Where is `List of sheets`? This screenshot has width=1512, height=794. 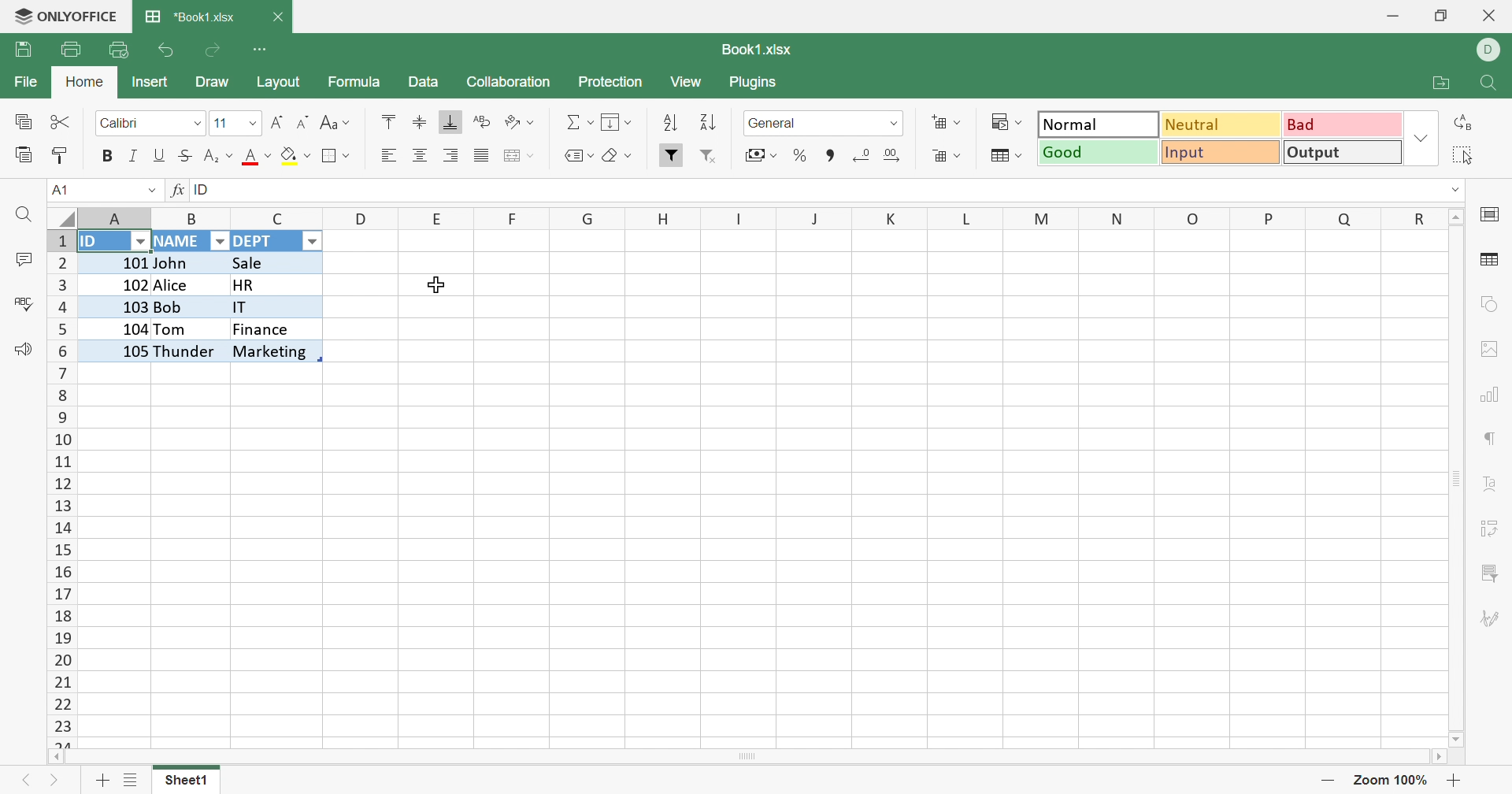 List of sheets is located at coordinates (135, 782).